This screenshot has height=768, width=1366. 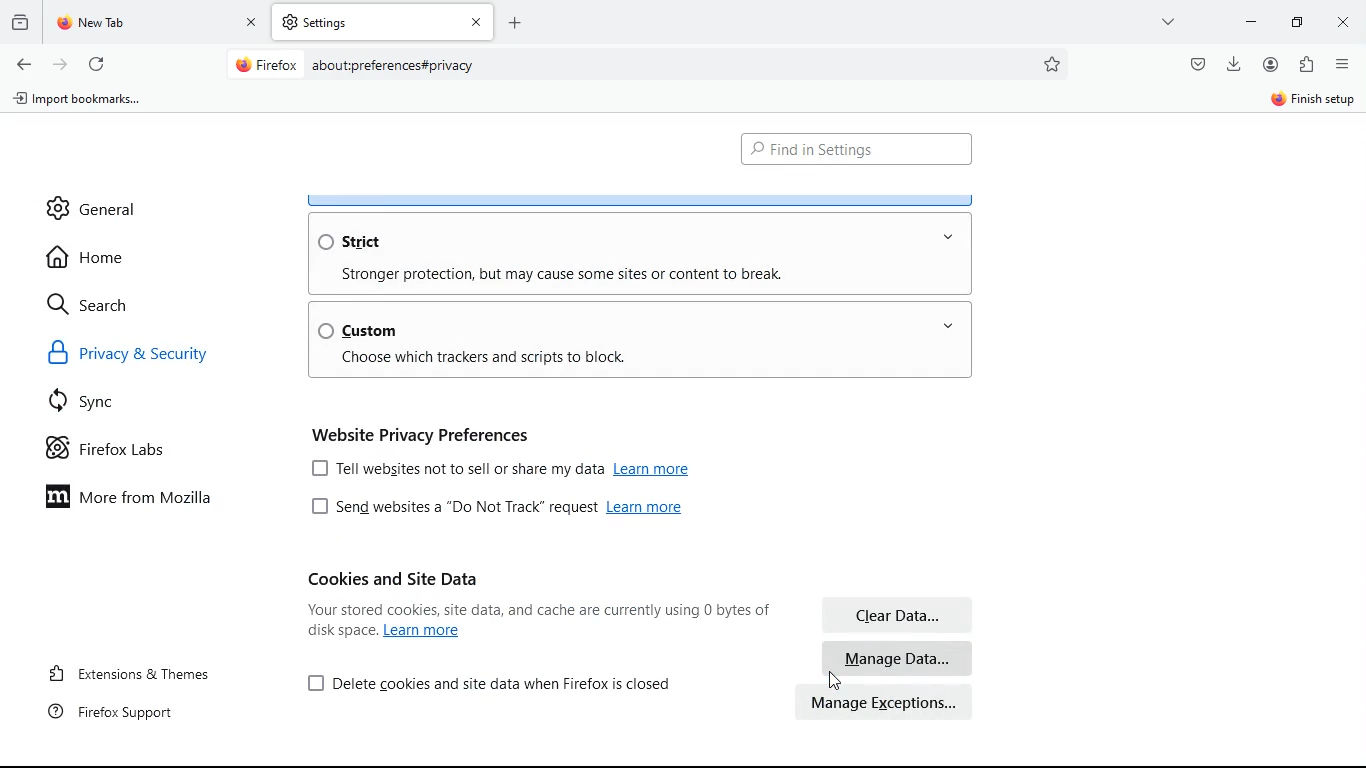 What do you see at coordinates (1311, 101) in the screenshot?
I see `sign in` at bounding box center [1311, 101].